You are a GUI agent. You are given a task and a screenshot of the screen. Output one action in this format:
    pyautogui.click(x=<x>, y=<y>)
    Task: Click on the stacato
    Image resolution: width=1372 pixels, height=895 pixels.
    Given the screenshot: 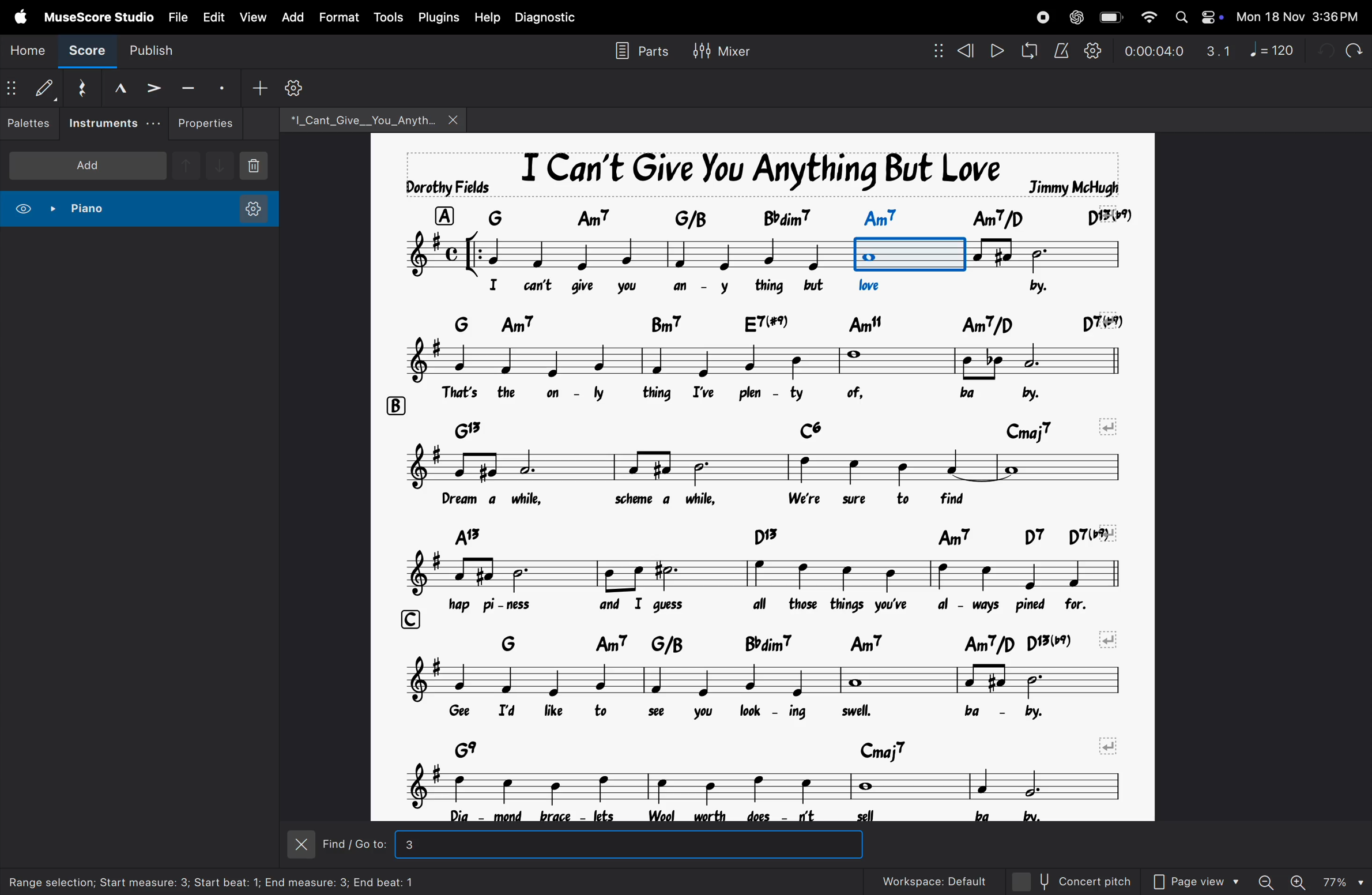 What is the action you would take?
    pyautogui.click(x=221, y=88)
    